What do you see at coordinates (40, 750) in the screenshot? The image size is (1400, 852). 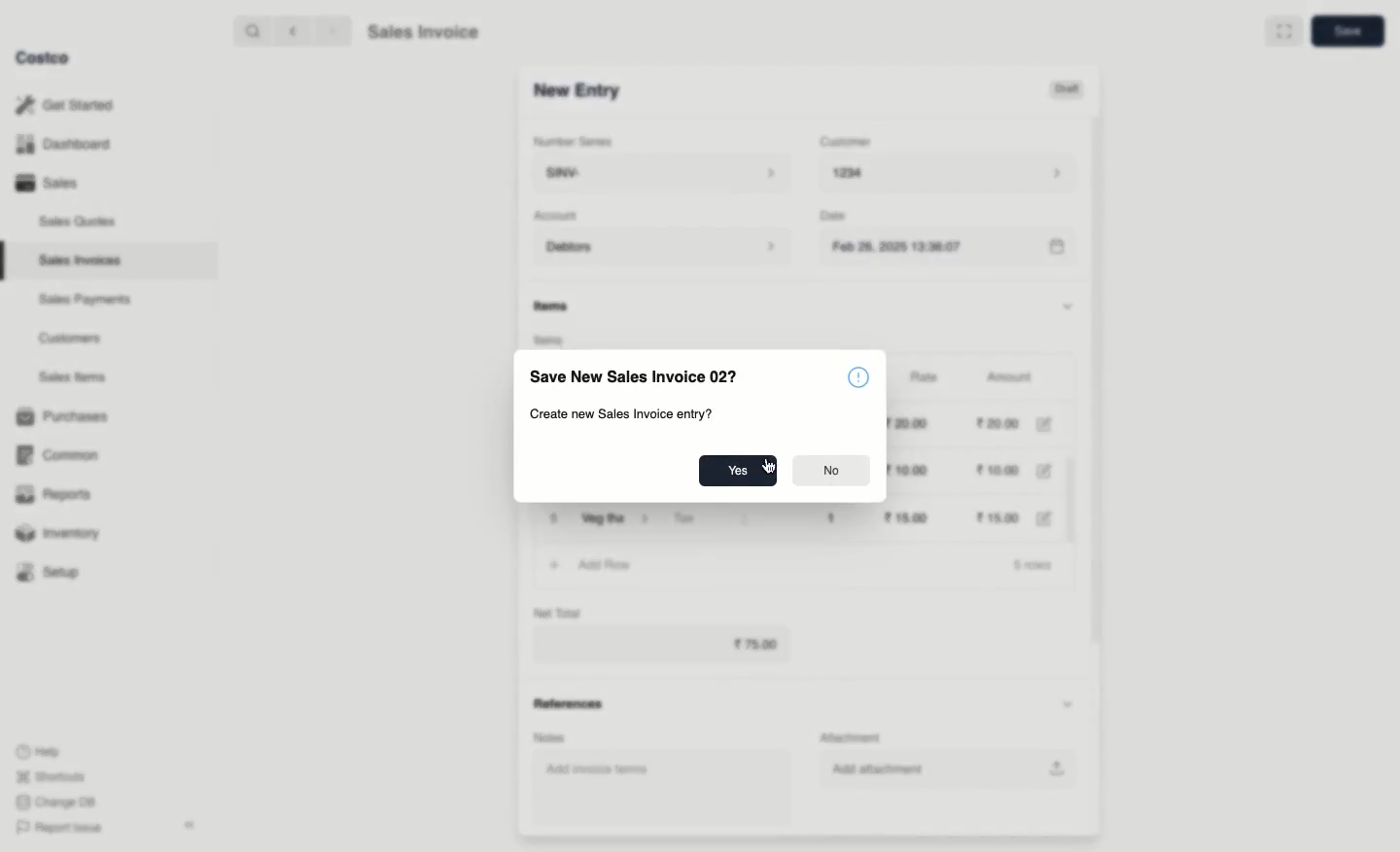 I see `Help` at bounding box center [40, 750].